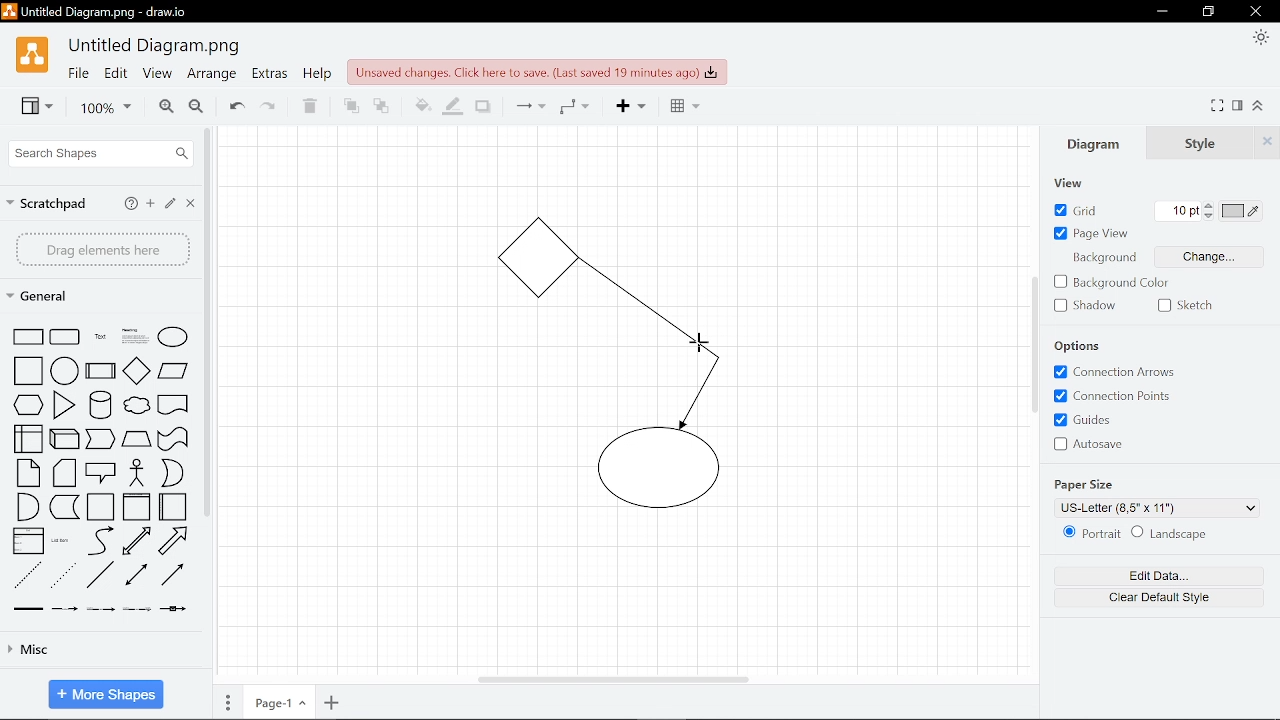 This screenshot has height=720, width=1280. Describe the element at coordinates (24, 371) in the screenshot. I see `shape` at that location.